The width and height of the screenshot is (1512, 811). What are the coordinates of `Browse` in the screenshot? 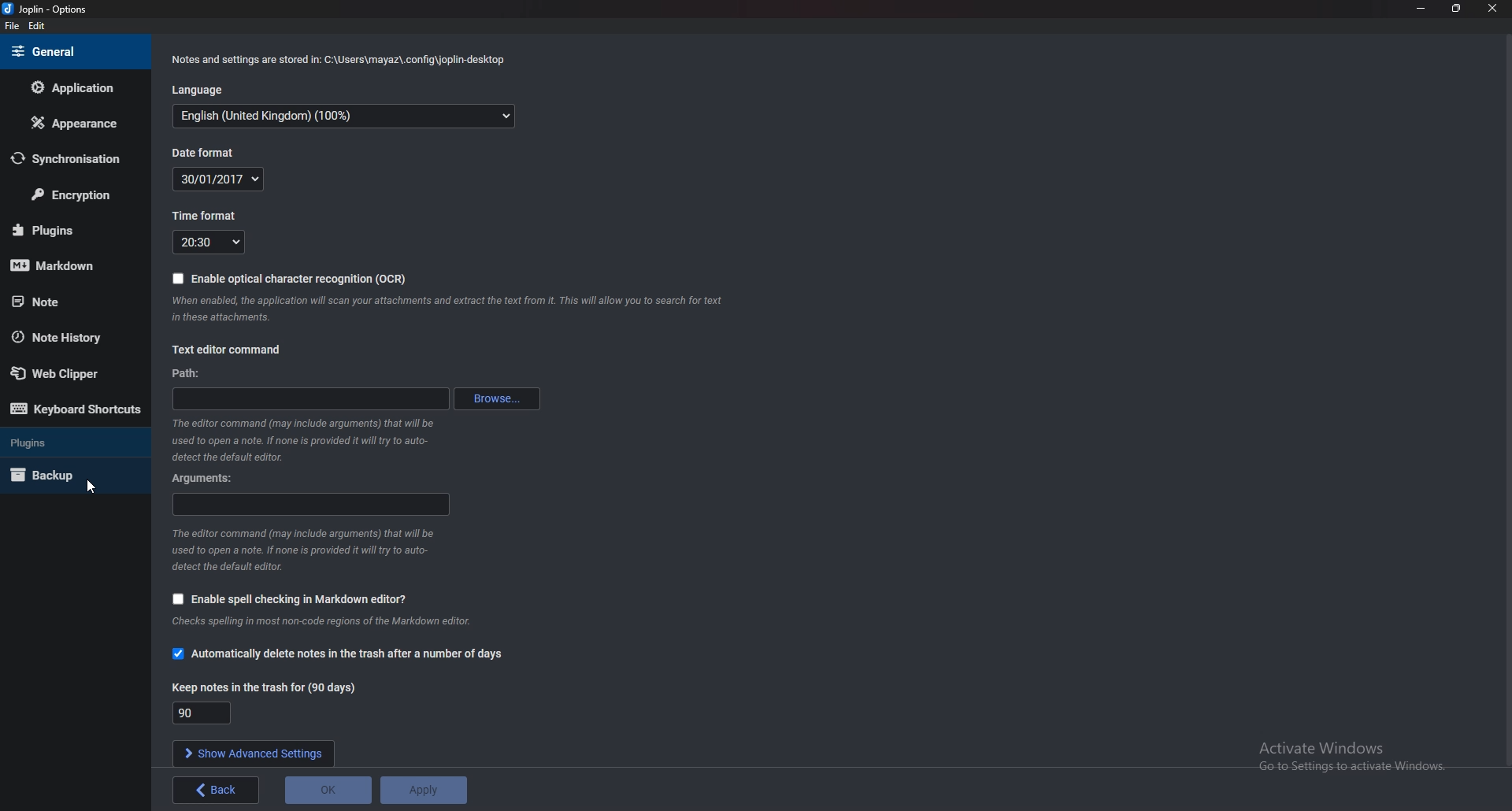 It's located at (497, 400).